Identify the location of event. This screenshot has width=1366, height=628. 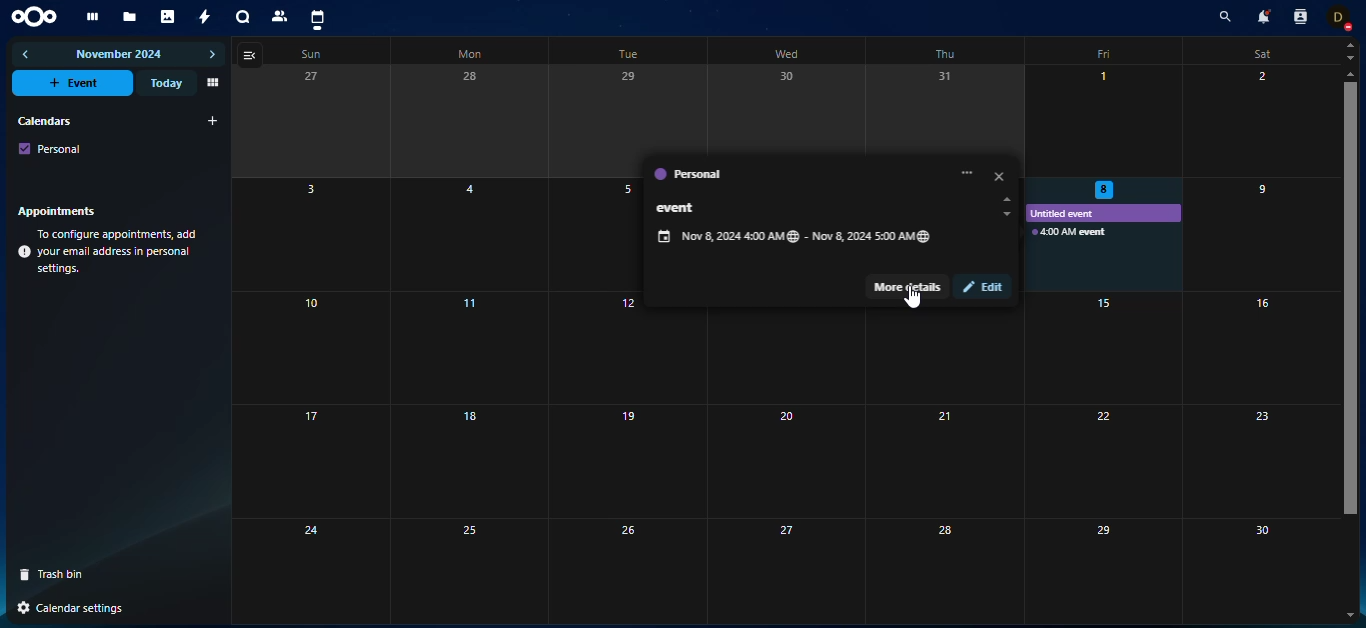
(75, 83).